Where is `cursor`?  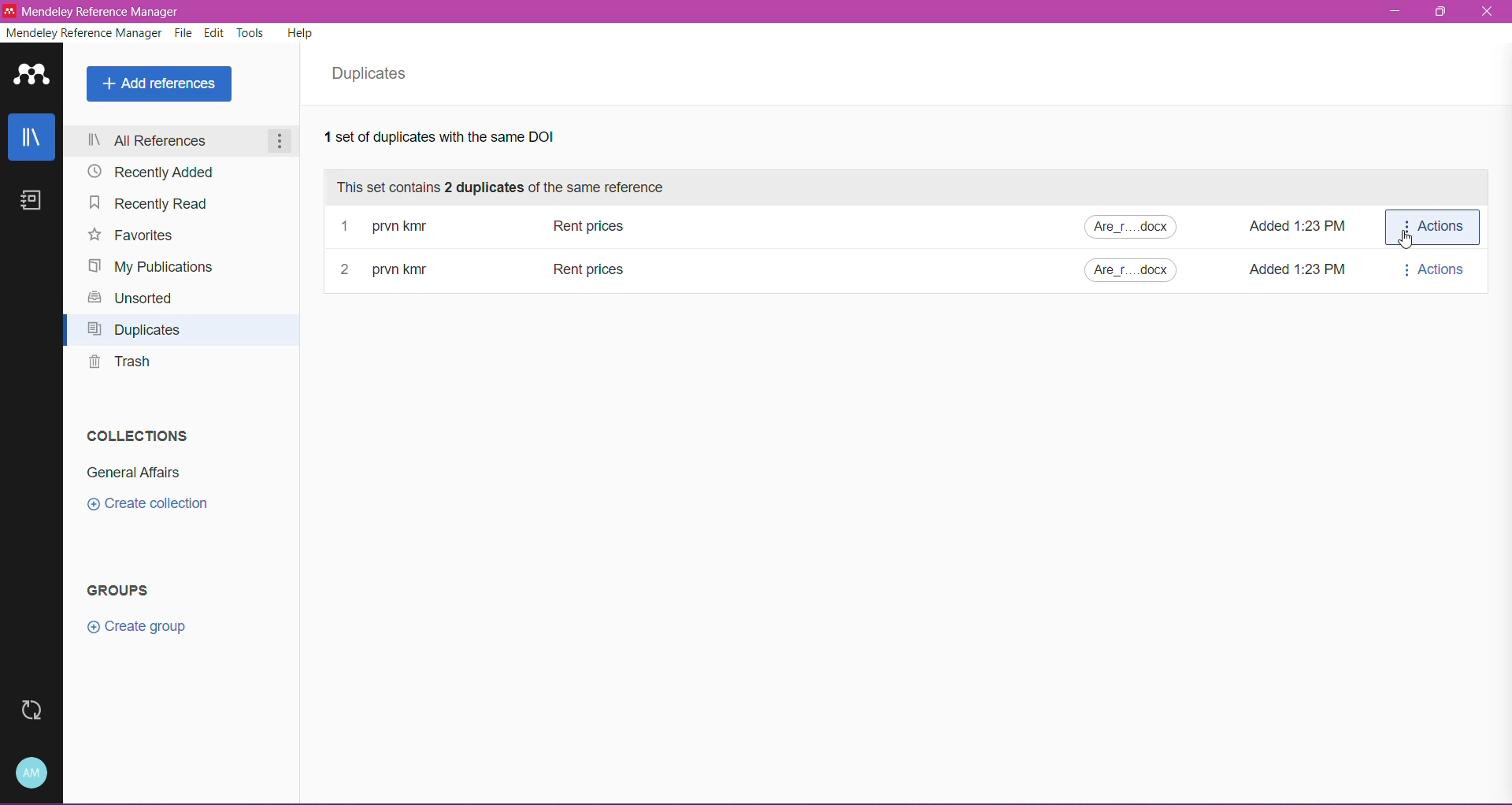
cursor is located at coordinates (1405, 239).